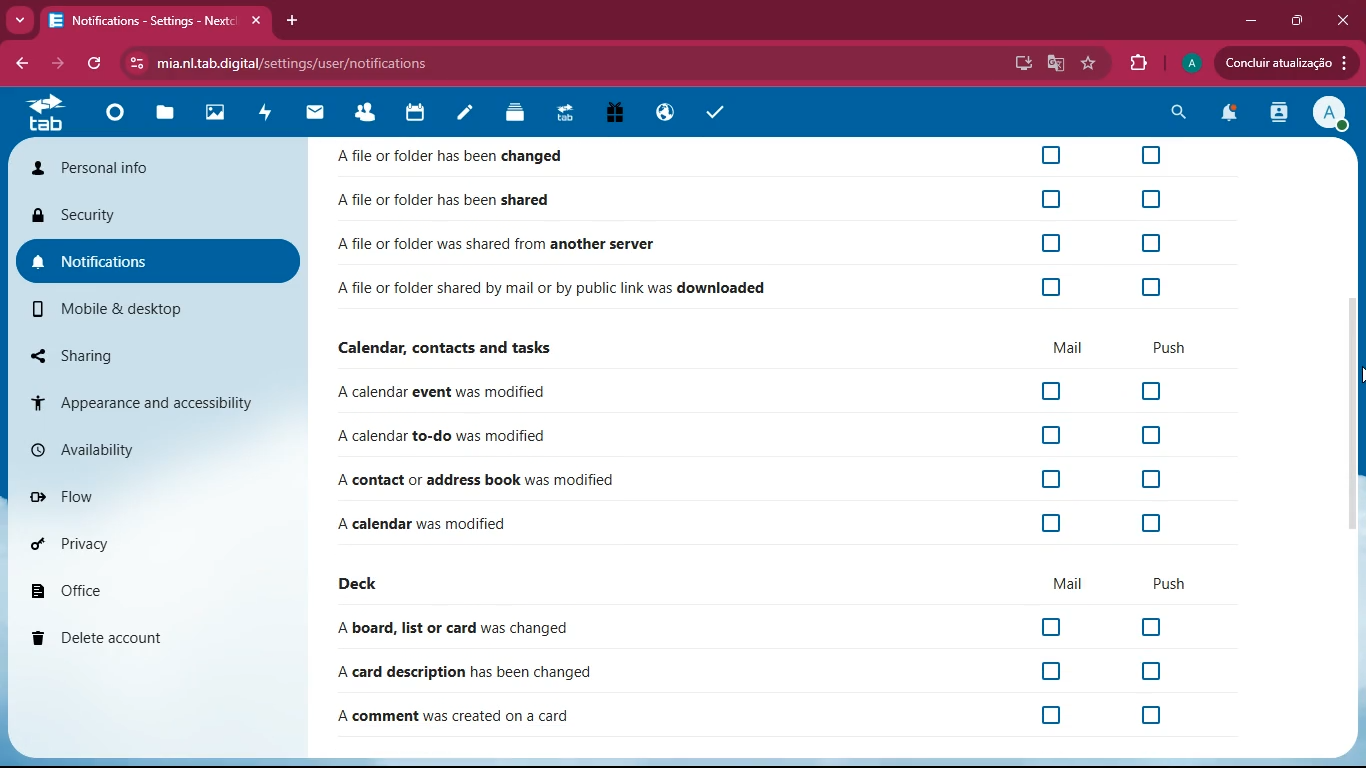  Describe the element at coordinates (143, 585) in the screenshot. I see `office` at that location.